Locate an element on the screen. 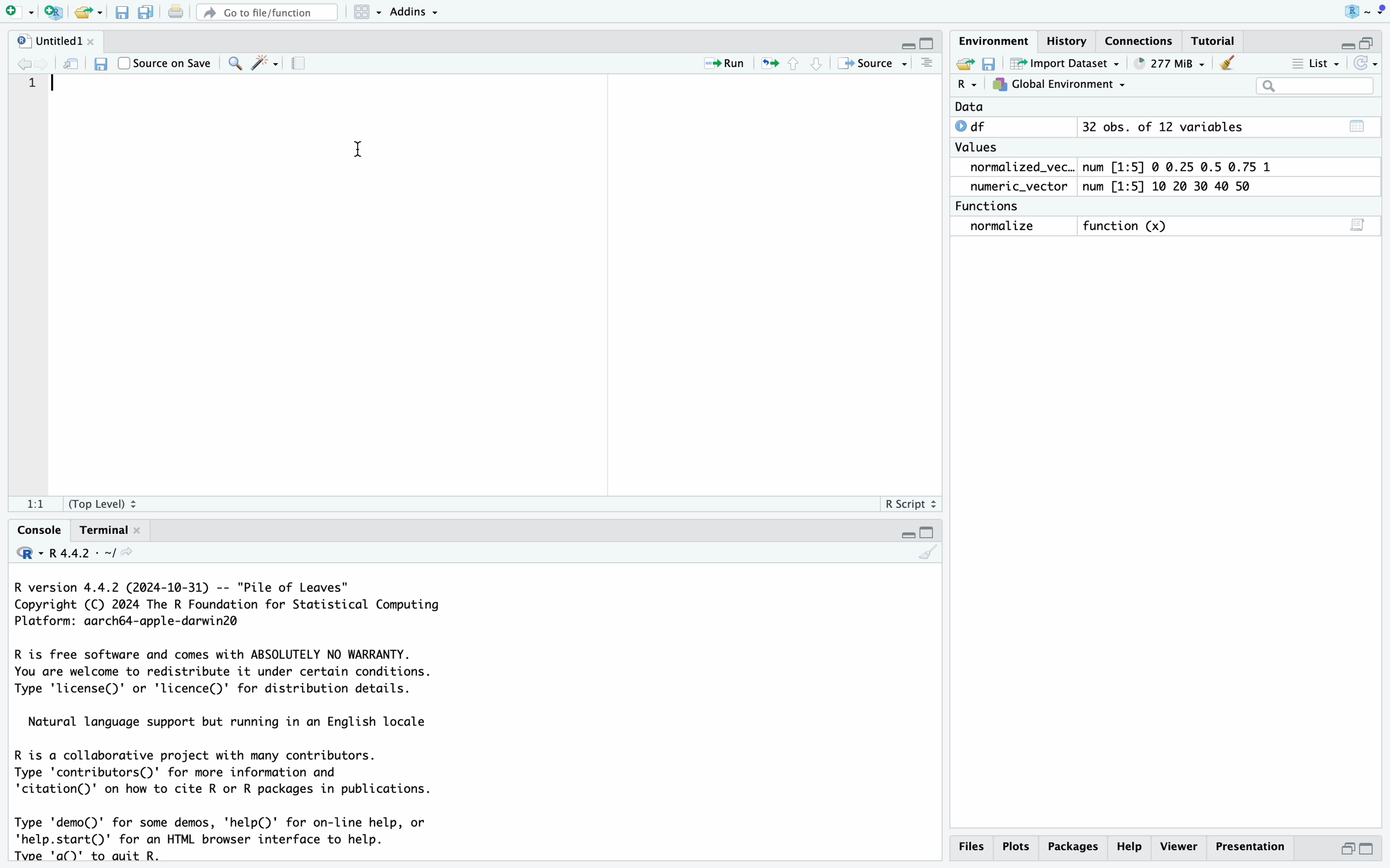  MENU is located at coordinates (1381, 12).